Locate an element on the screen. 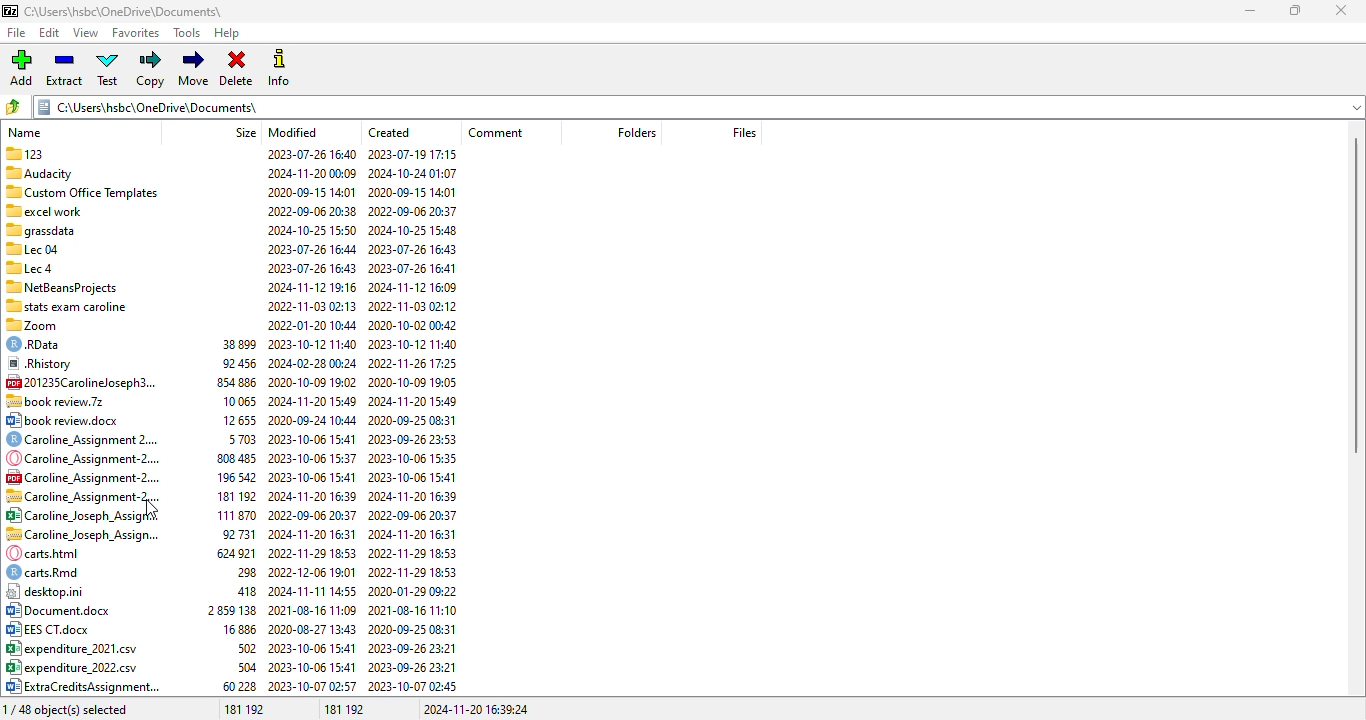 This screenshot has height=720, width=1366. carts.Rmd 298 2022-12-06 19:01 2022-11-29 18:53 is located at coordinates (230, 572).